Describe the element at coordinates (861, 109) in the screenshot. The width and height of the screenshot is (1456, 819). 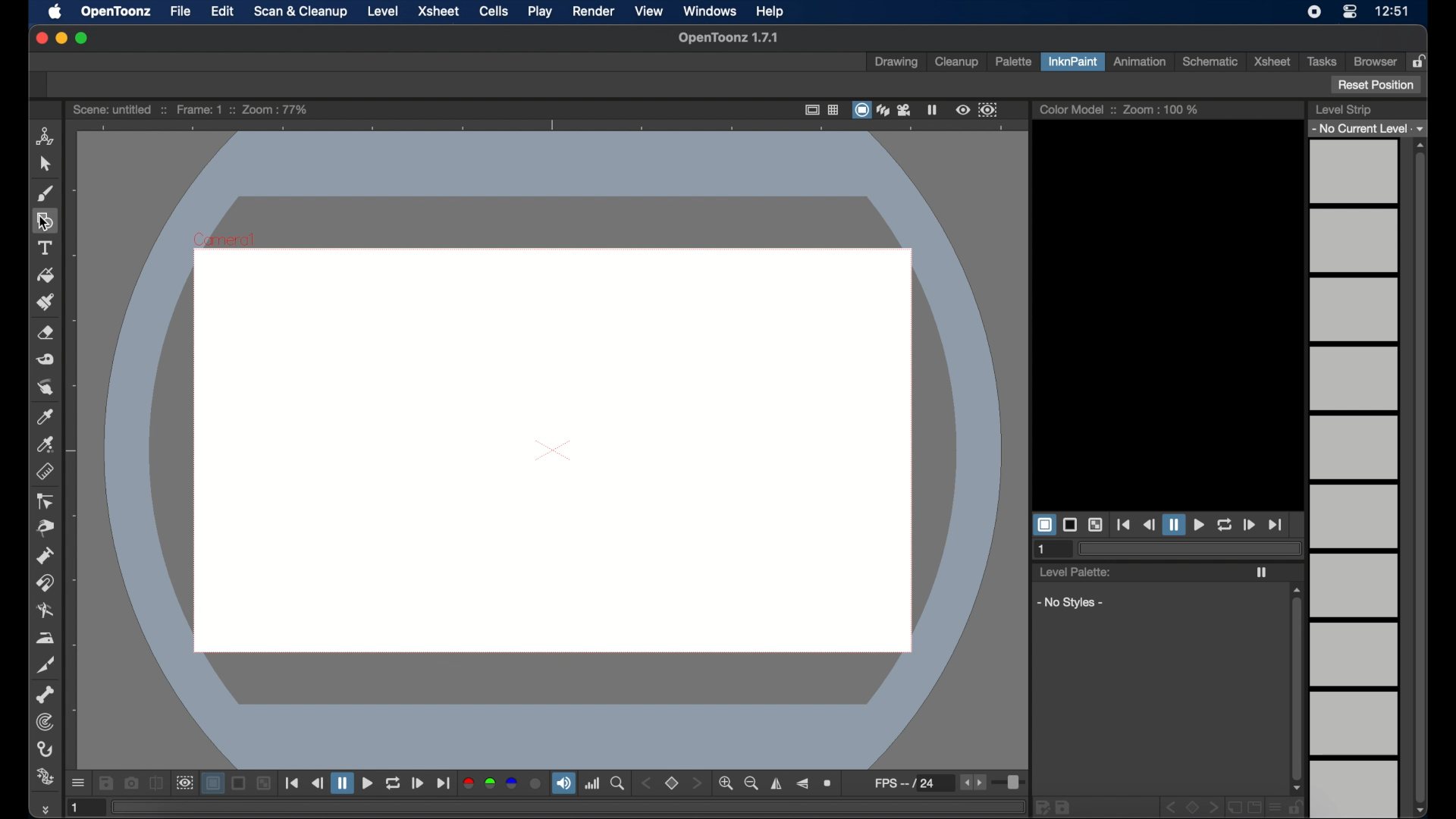
I see `camera stand view` at that location.